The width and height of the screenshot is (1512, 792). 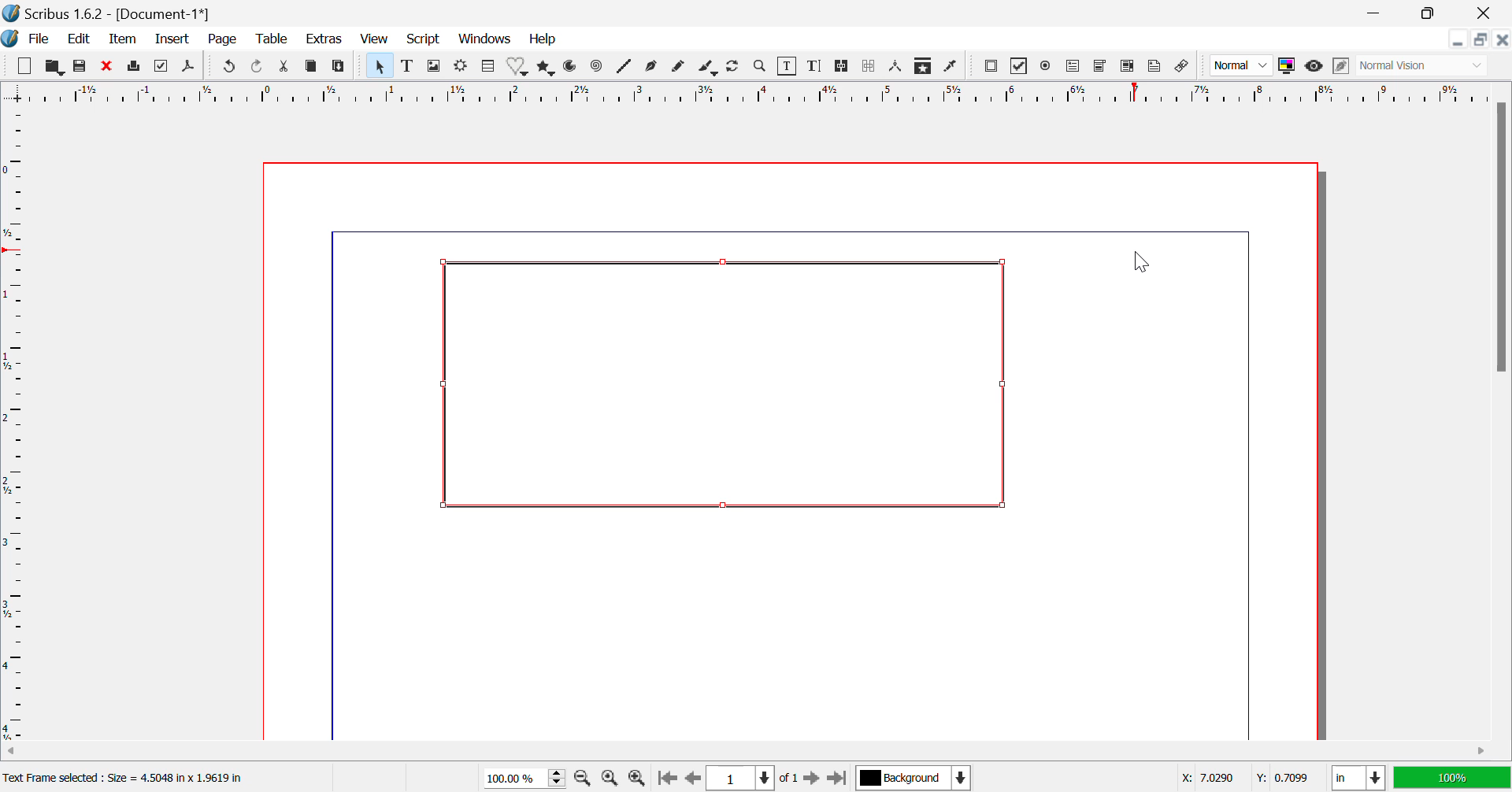 I want to click on Normal Vision, so click(x=1425, y=67).